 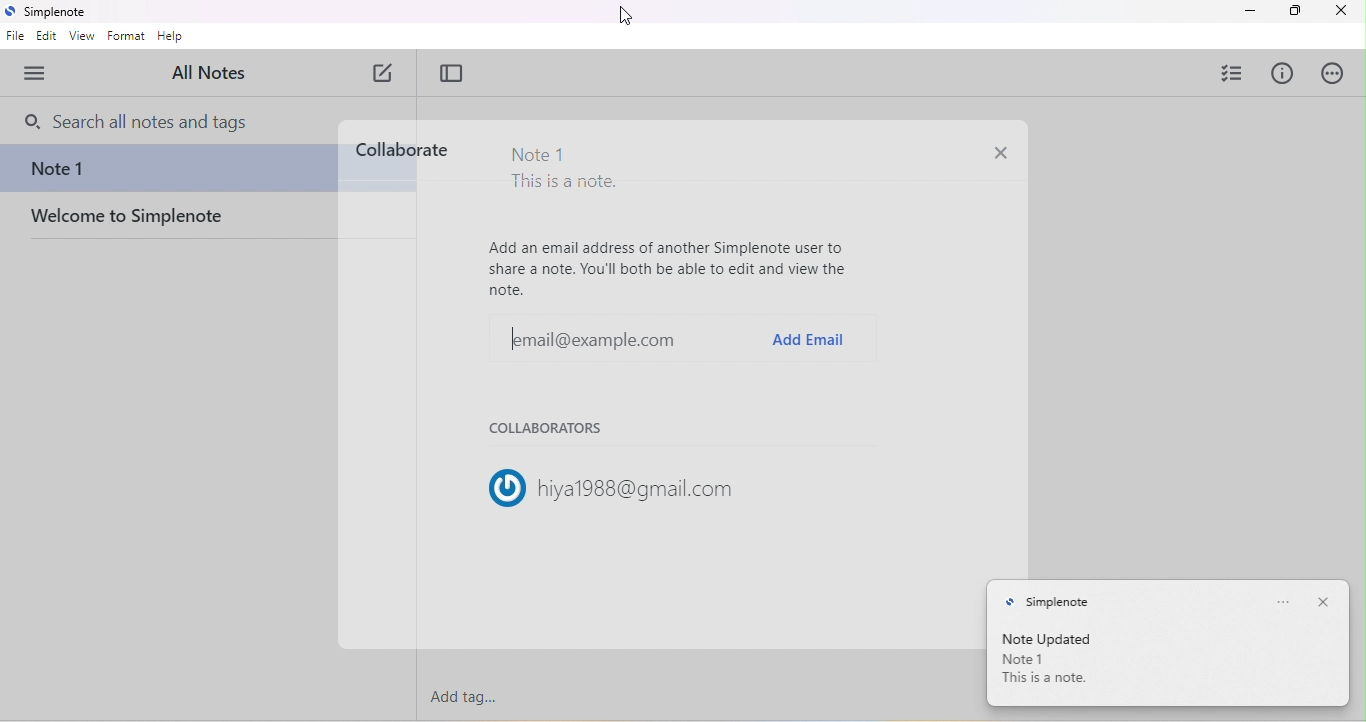 What do you see at coordinates (15, 37) in the screenshot?
I see `file` at bounding box center [15, 37].